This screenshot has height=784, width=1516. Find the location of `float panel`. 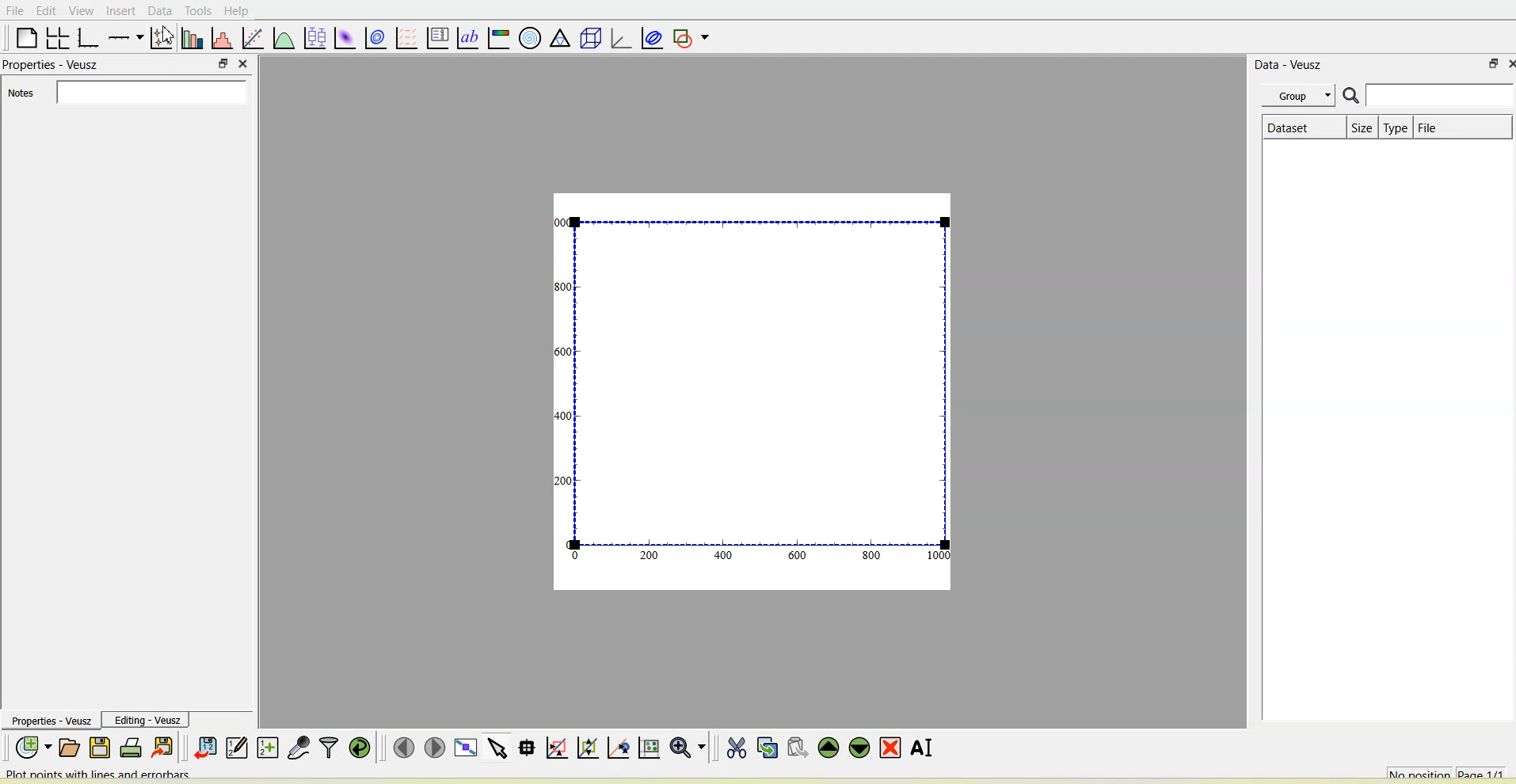

float panel is located at coordinates (223, 64).